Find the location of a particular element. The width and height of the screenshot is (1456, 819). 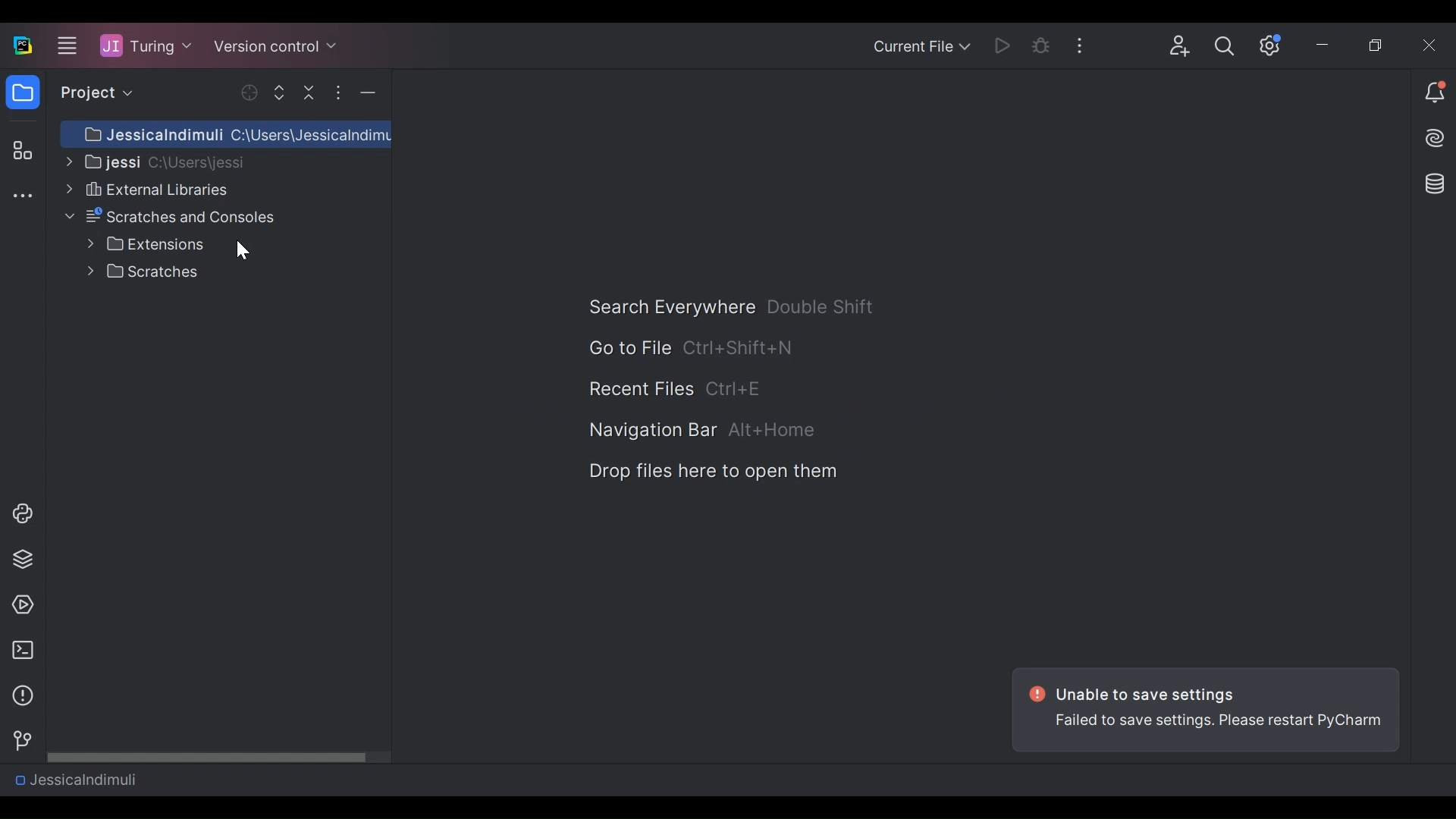

PyCharm Desktop Icon is located at coordinates (24, 46).